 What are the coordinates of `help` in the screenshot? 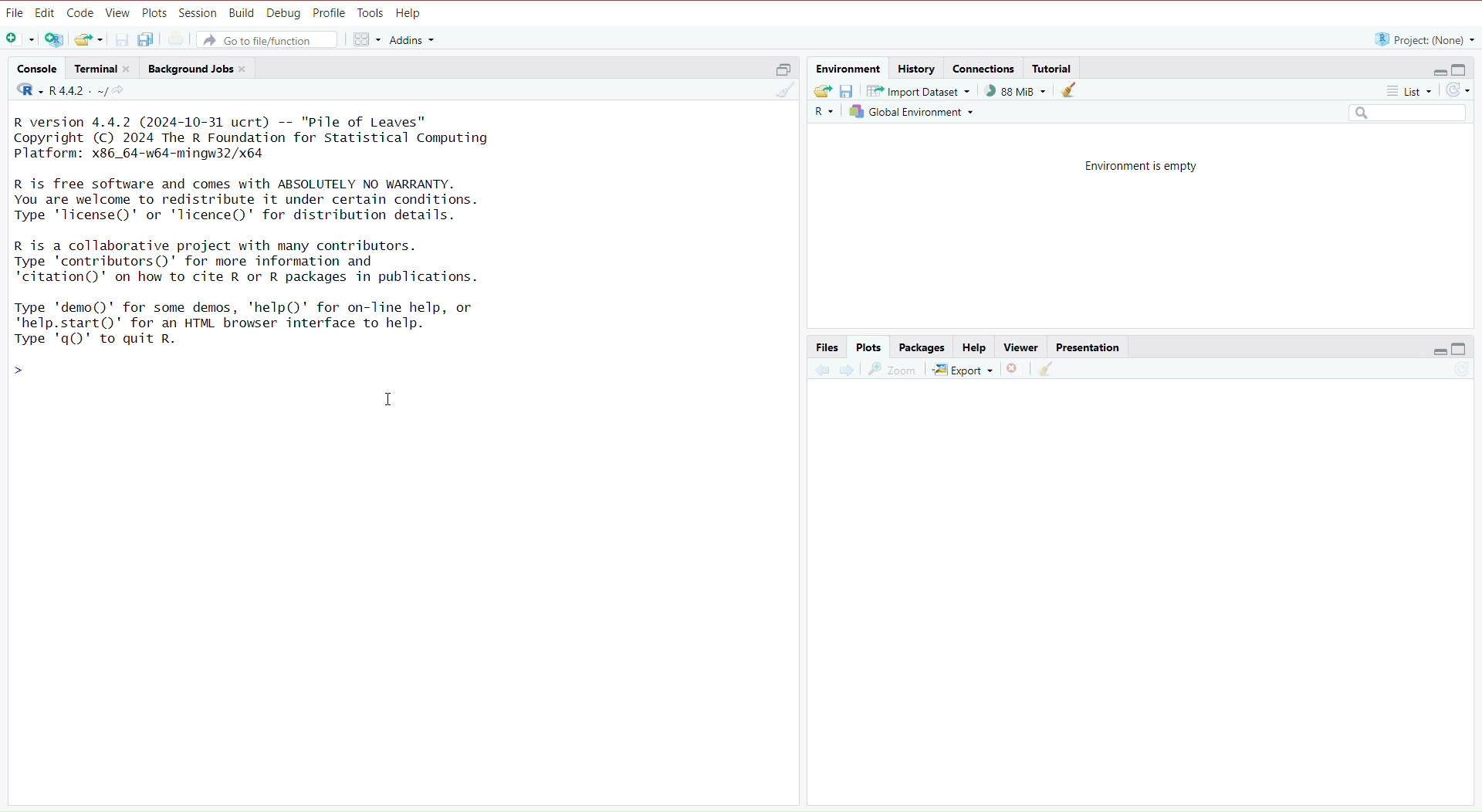 It's located at (411, 14).